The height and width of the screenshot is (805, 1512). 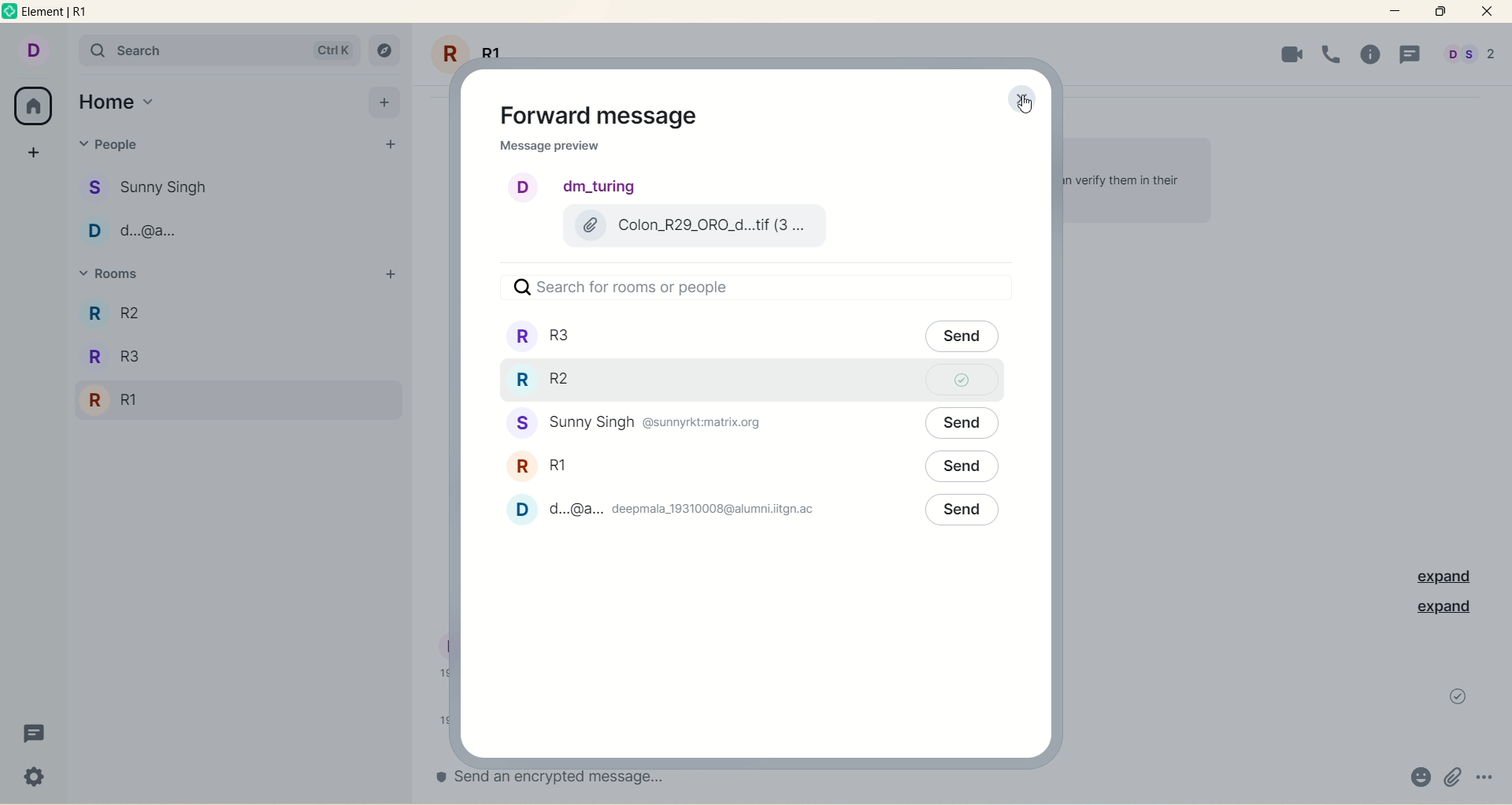 What do you see at coordinates (121, 276) in the screenshot?
I see `rooms` at bounding box center [121, 276].